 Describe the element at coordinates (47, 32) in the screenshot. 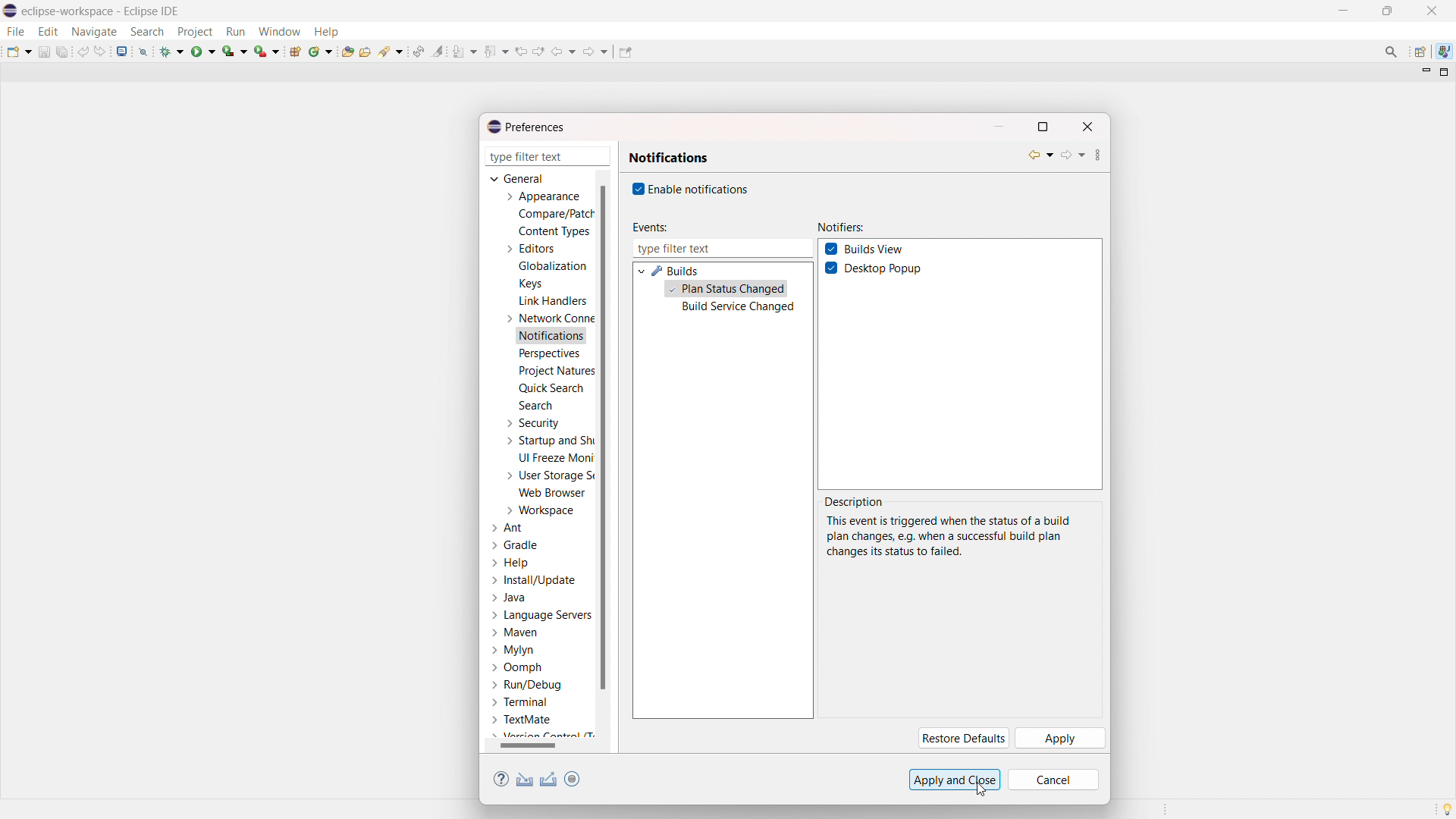

I see `edit` at that location.